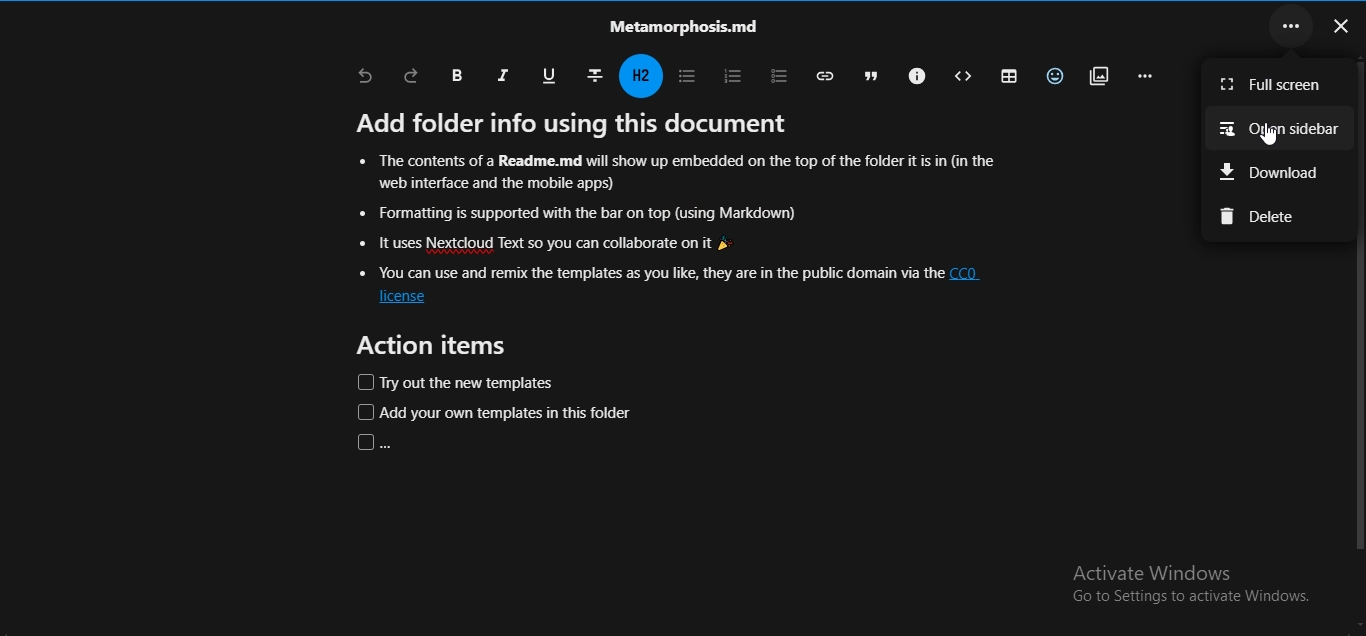  Describe the element at coordinates (1270, 170) in the screenshot. I see `download` at that location.